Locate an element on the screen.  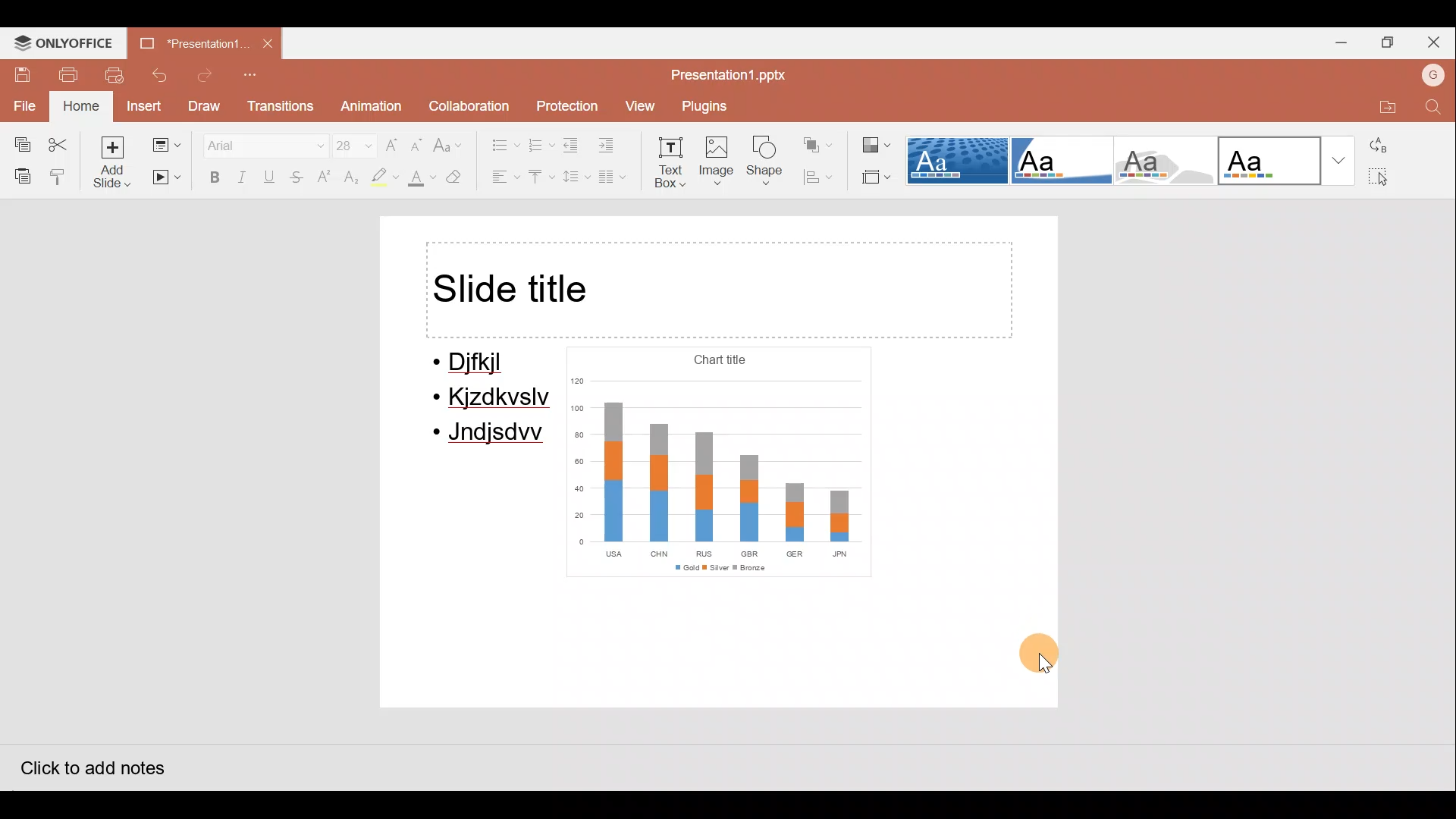
Bold is located at coordinates (210, 176).